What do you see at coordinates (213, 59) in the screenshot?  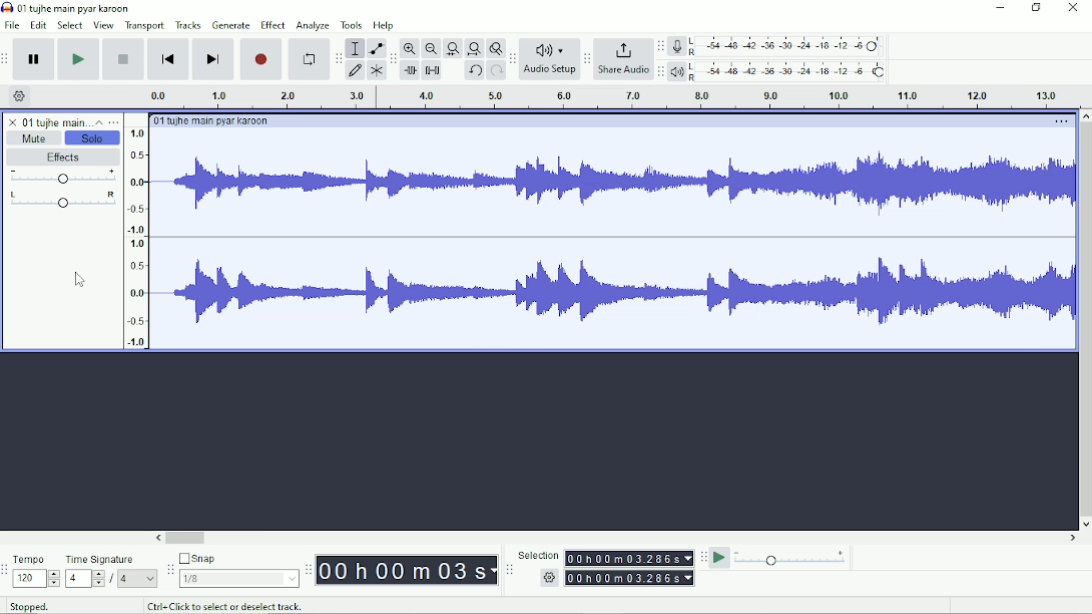 I see `Skip to end` at bounding box center [213, 59].